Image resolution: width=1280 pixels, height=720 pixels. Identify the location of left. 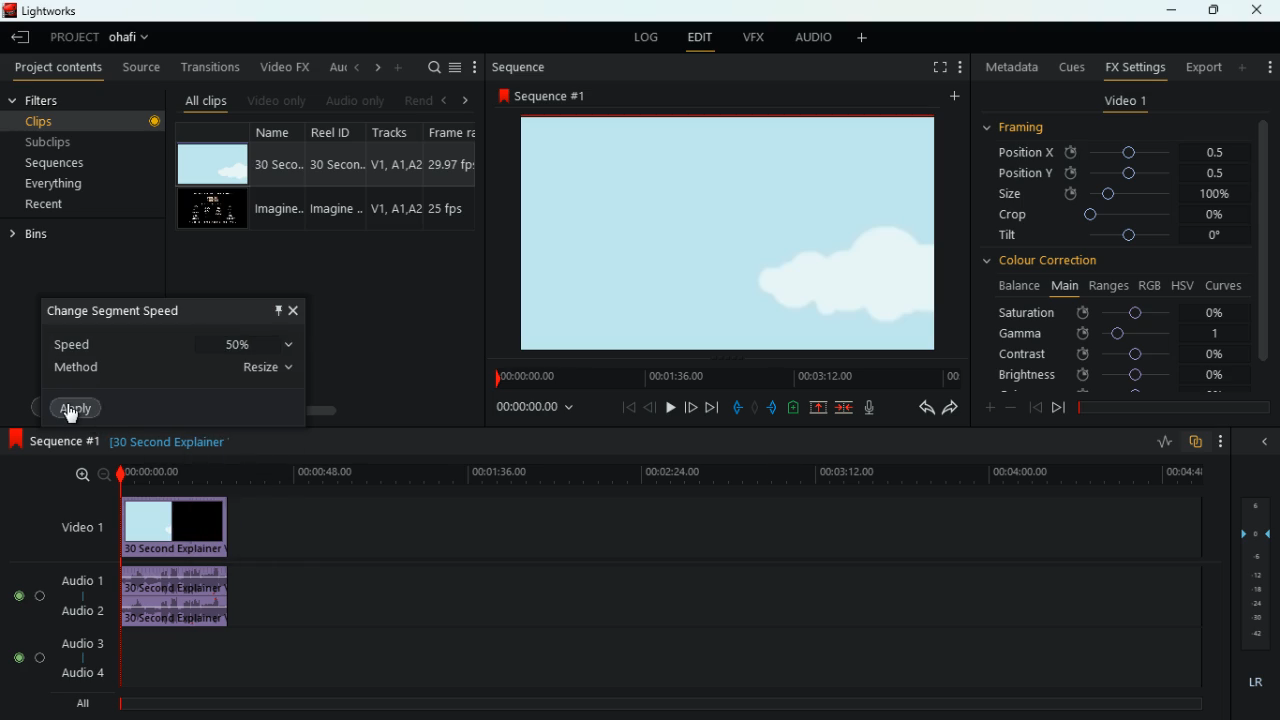
(442, 98).